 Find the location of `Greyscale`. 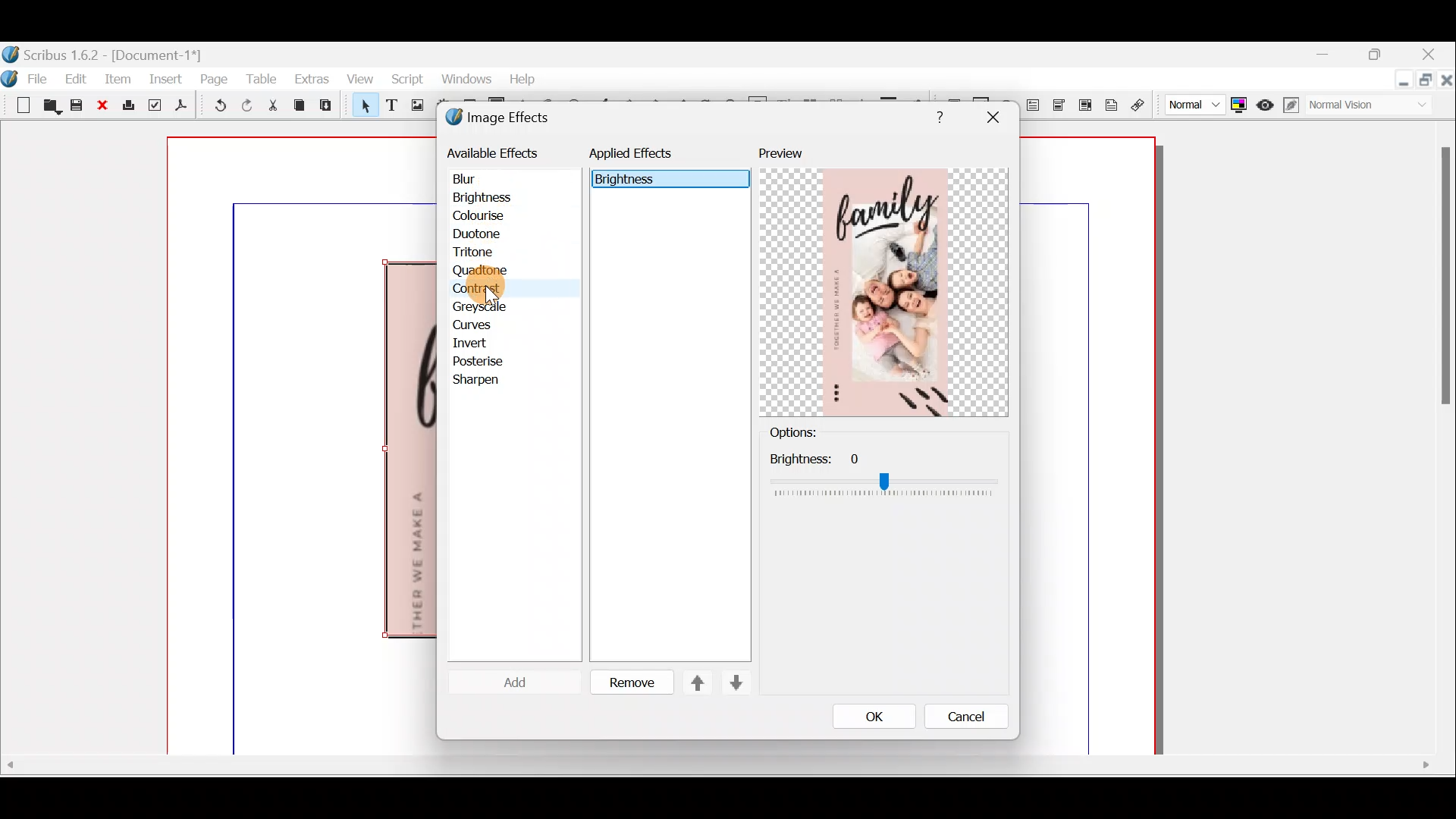

Greyscale is located at coordinates (486, 307).